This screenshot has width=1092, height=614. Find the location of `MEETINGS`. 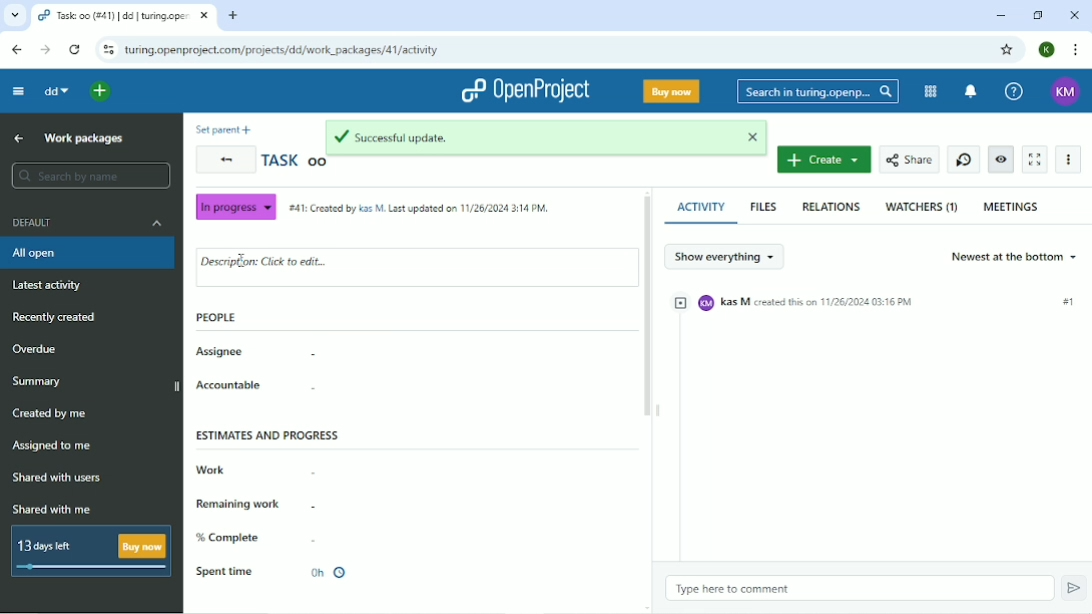

MEETINGS is located at coordinates (1012, 206).